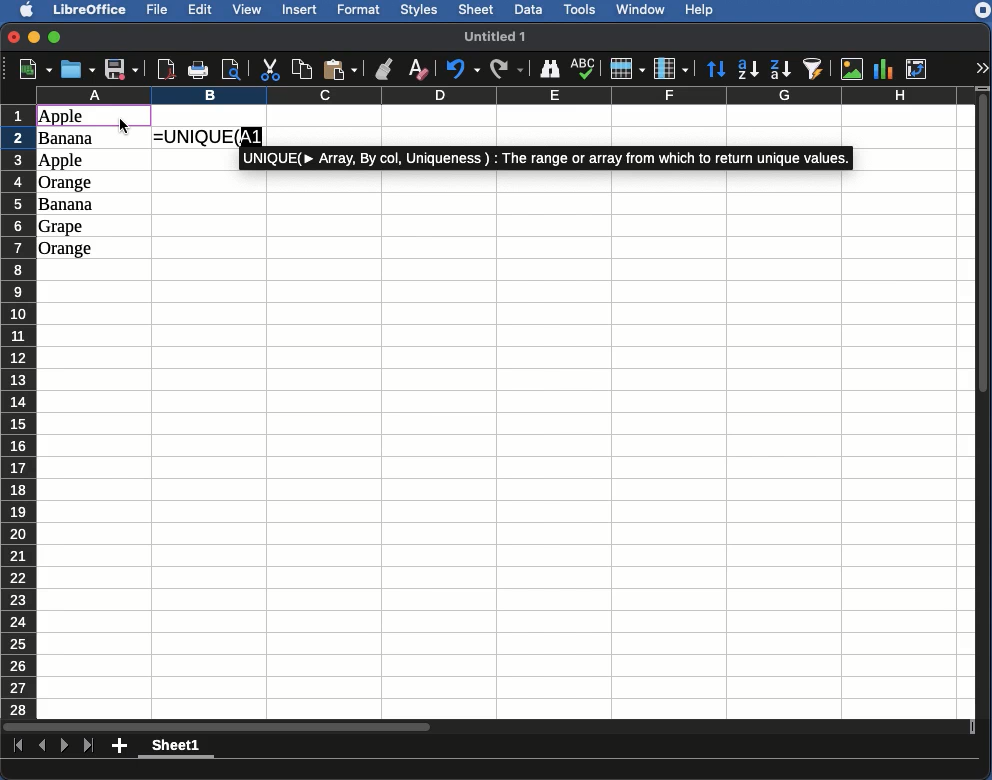  I want to click on Last sheet, so click(90, 746).